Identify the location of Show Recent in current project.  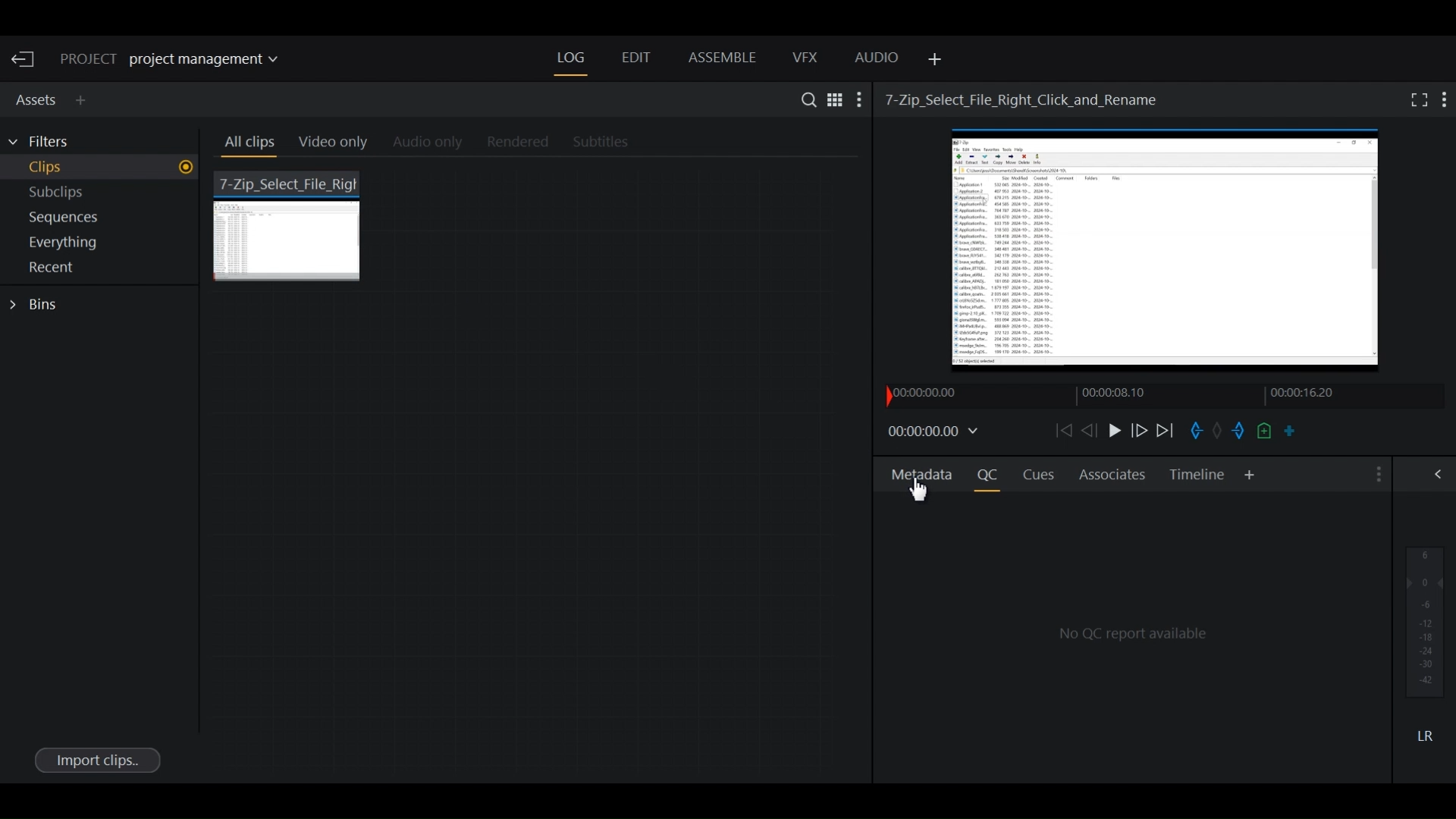
(102, 268).